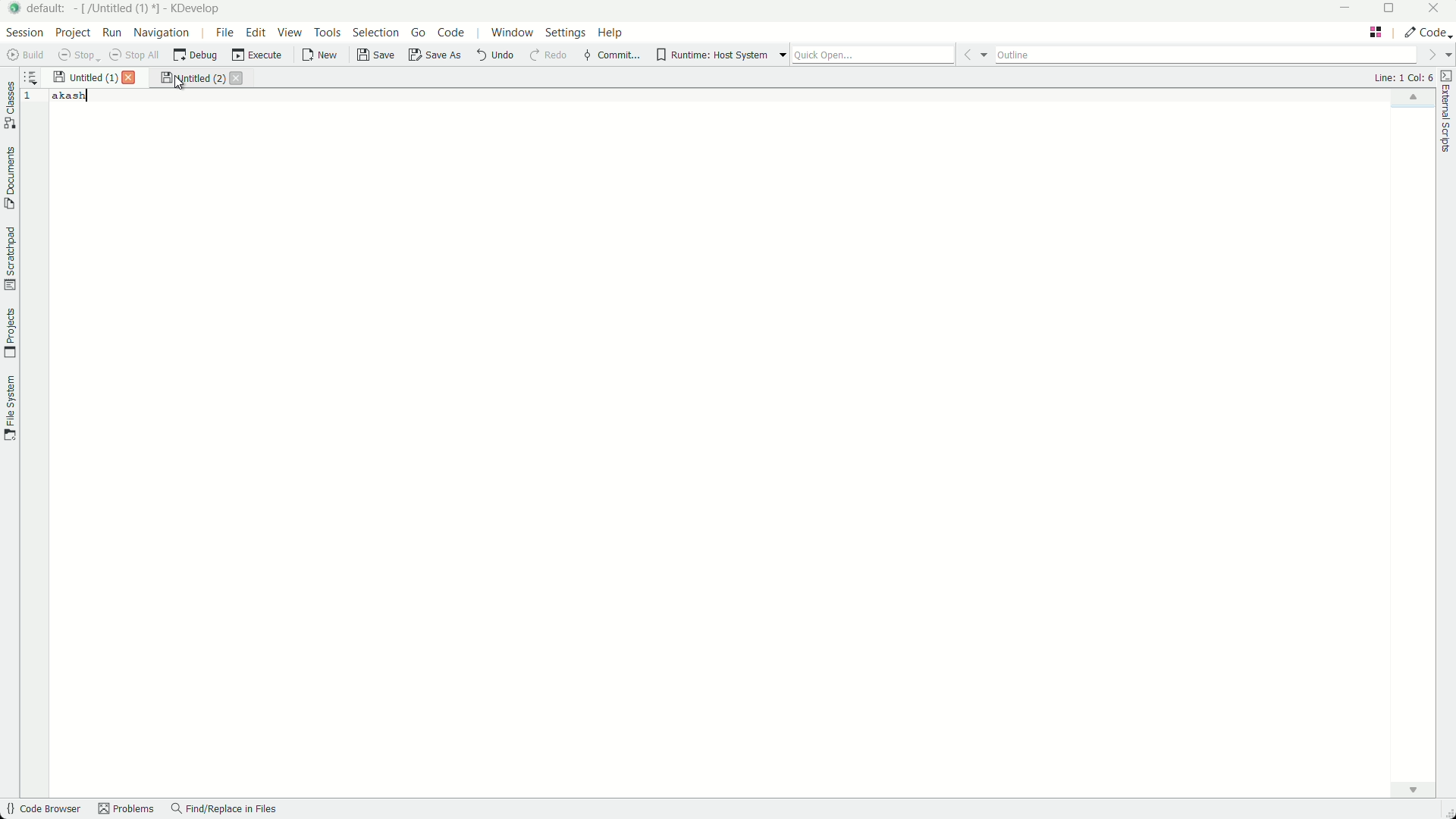 The width and height of the screenshot is (1456, 819). I want to click on line numbers, so click(33, 99).